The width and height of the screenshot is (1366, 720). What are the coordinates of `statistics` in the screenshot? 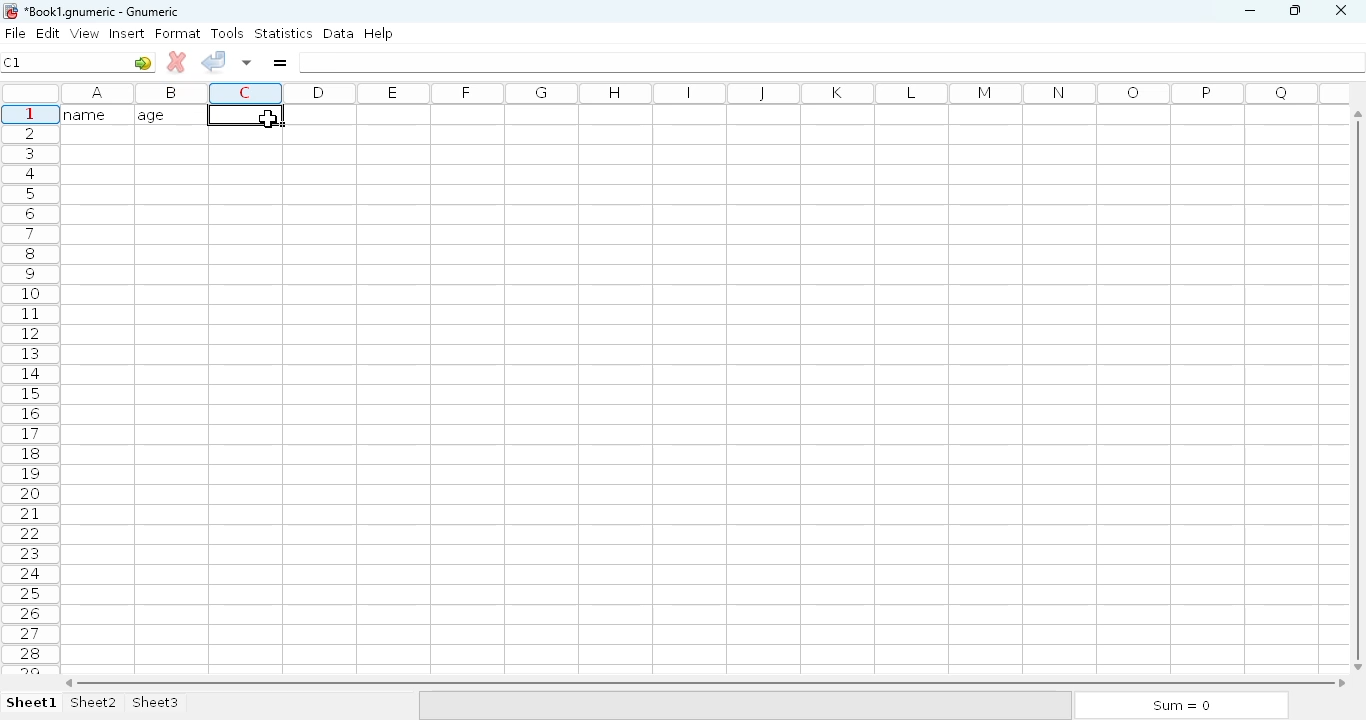 It's located at (283, 32).